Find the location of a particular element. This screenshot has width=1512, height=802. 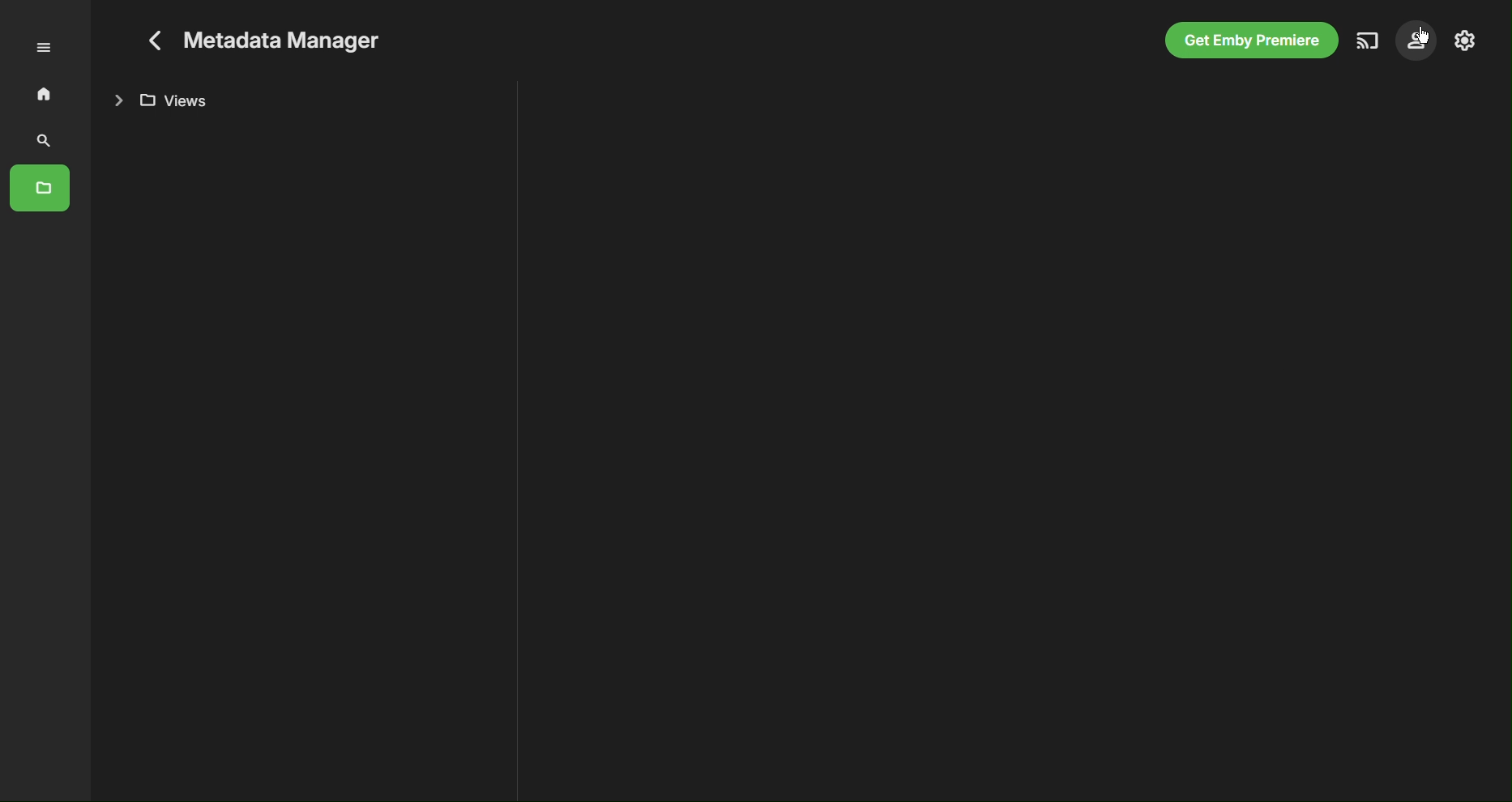

Account is located at coordinates (1419, 41).